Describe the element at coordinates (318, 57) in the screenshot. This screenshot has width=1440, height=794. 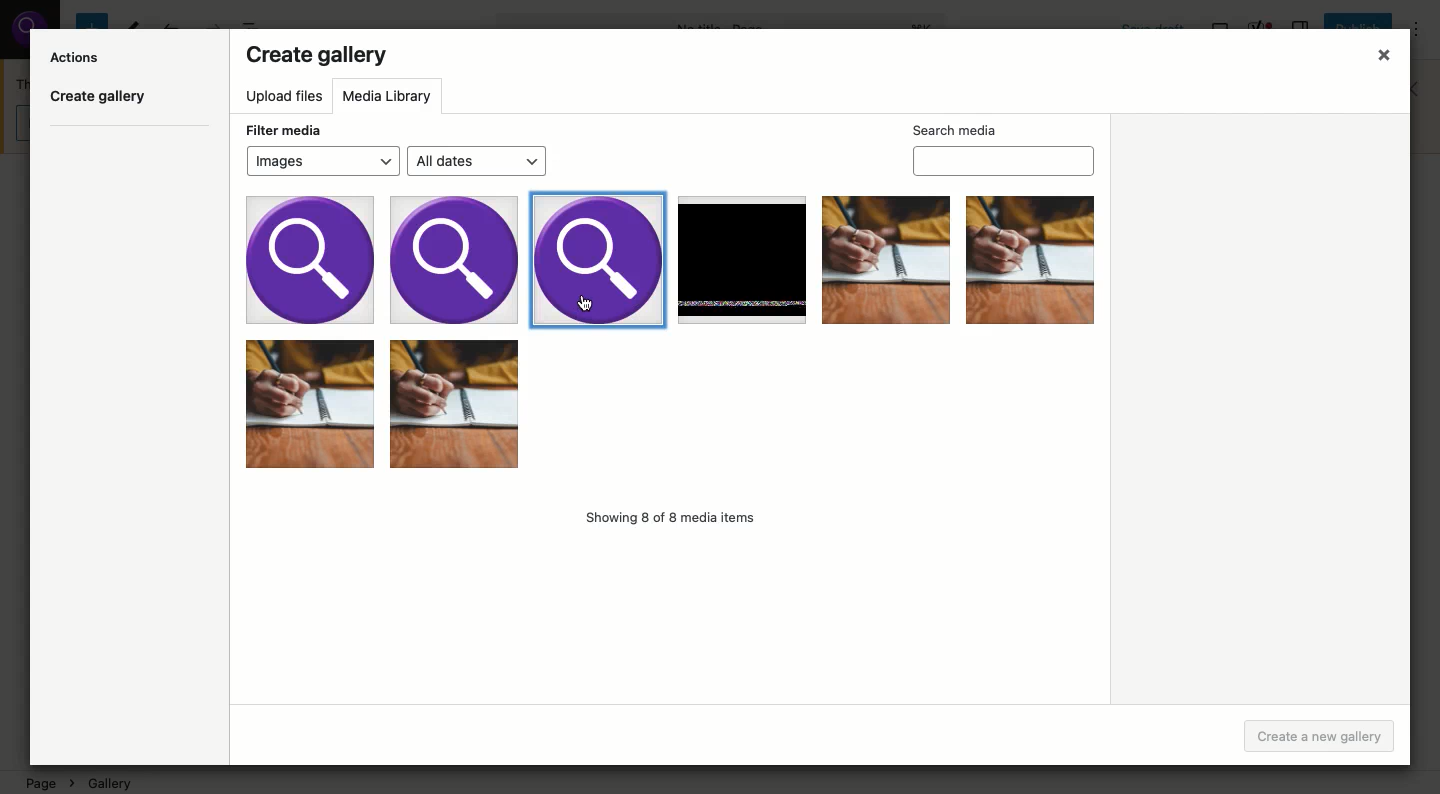
I see `Create gallery` at that location.